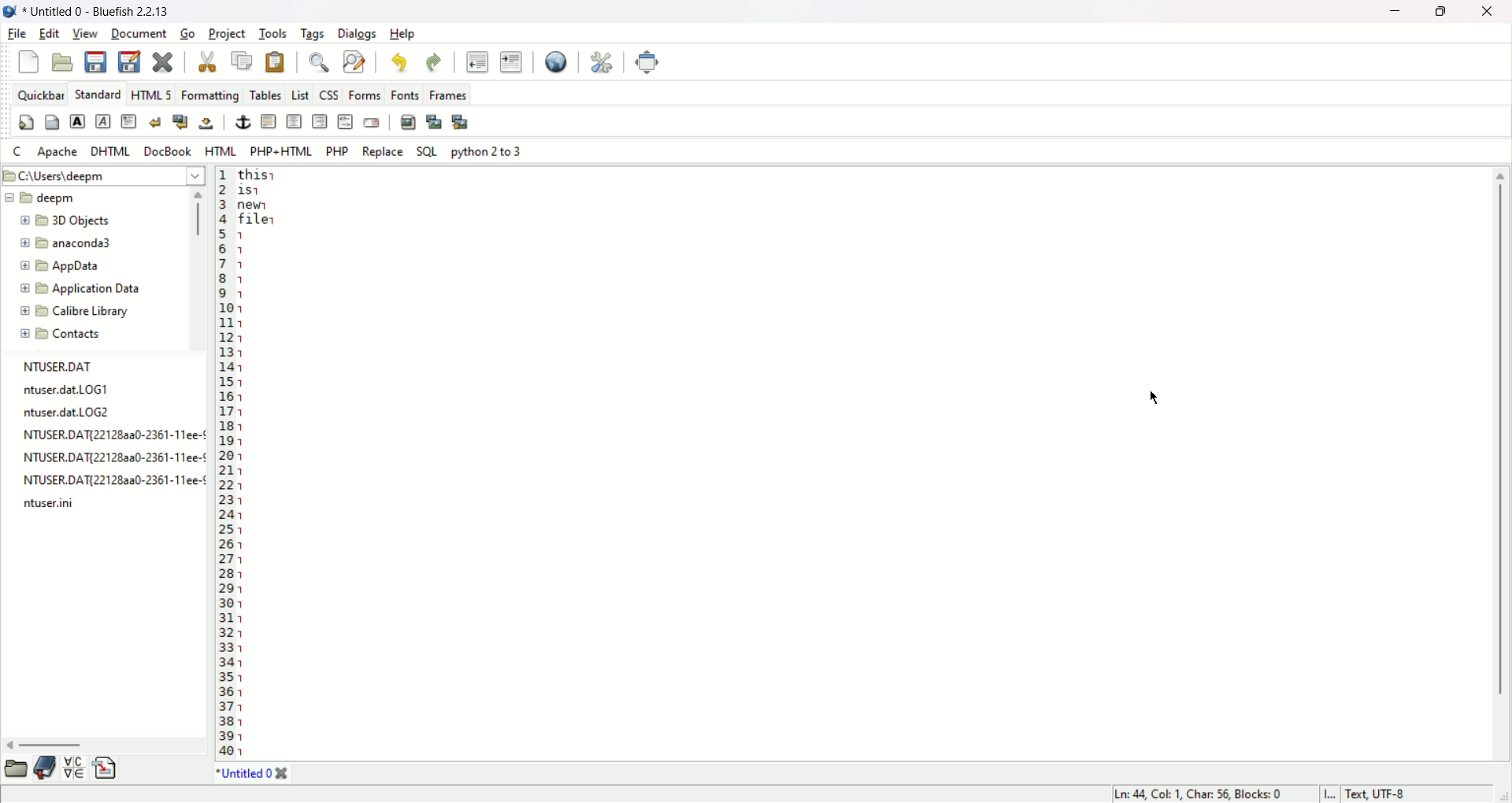  What do you see at coordinates (72, 334) in the screenshot?
I see `Contacts` at bounding box center [72, 334].